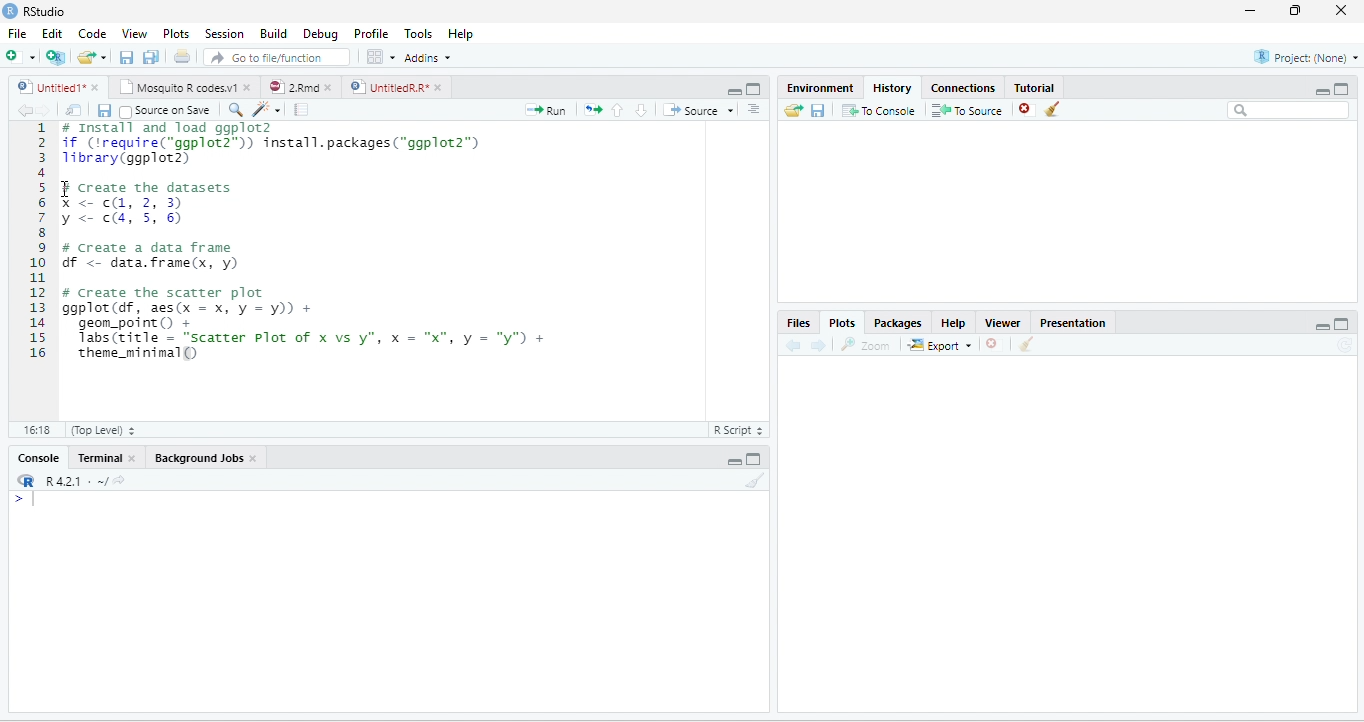 Image resolution: width=1364 pixels, height=722 pixels. What do you see at coordinates (246, 87) in the screenshot?
I see `close` at bounding box center [246, 87].